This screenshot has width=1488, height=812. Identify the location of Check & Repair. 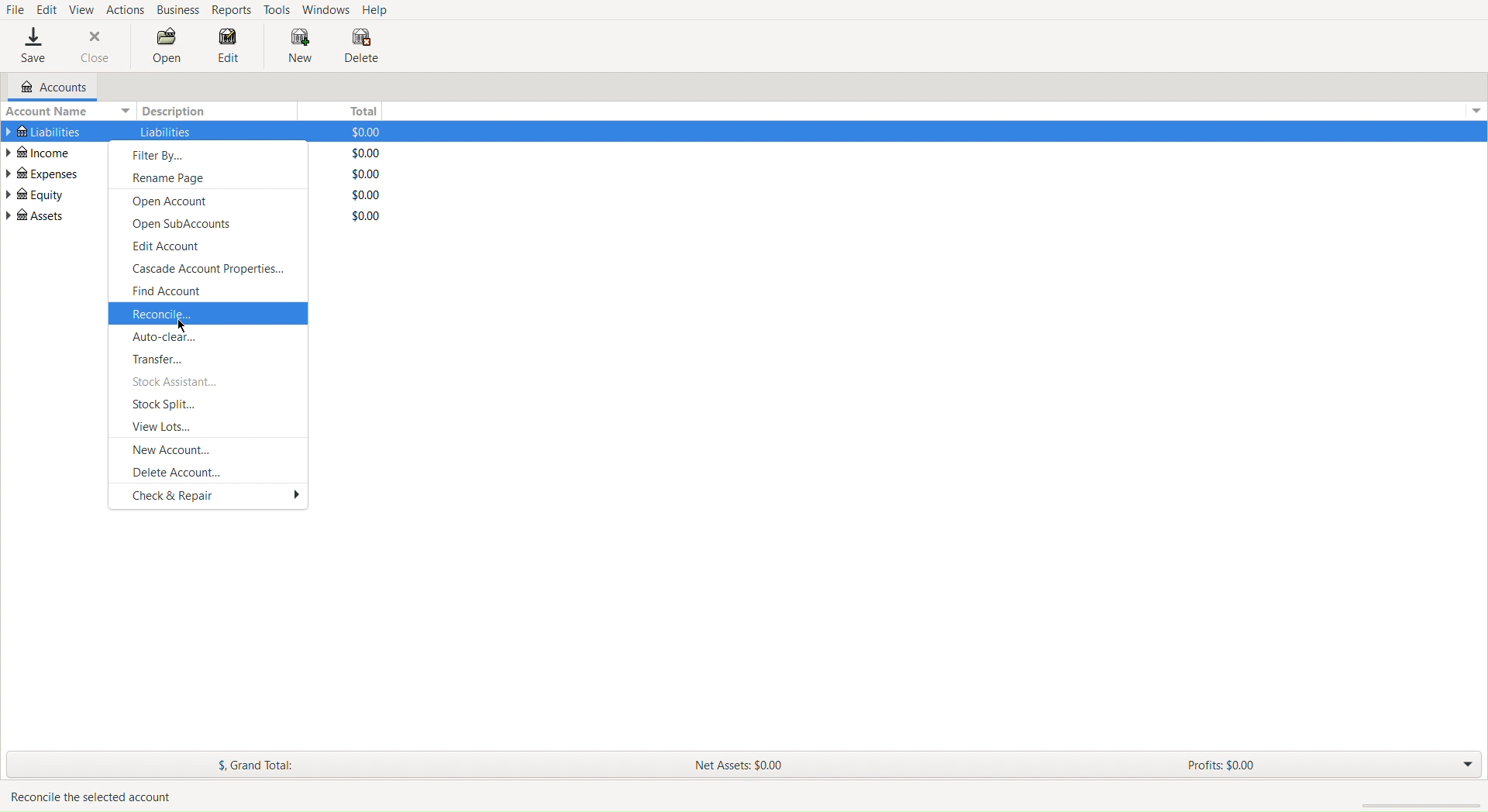
(208, 497).